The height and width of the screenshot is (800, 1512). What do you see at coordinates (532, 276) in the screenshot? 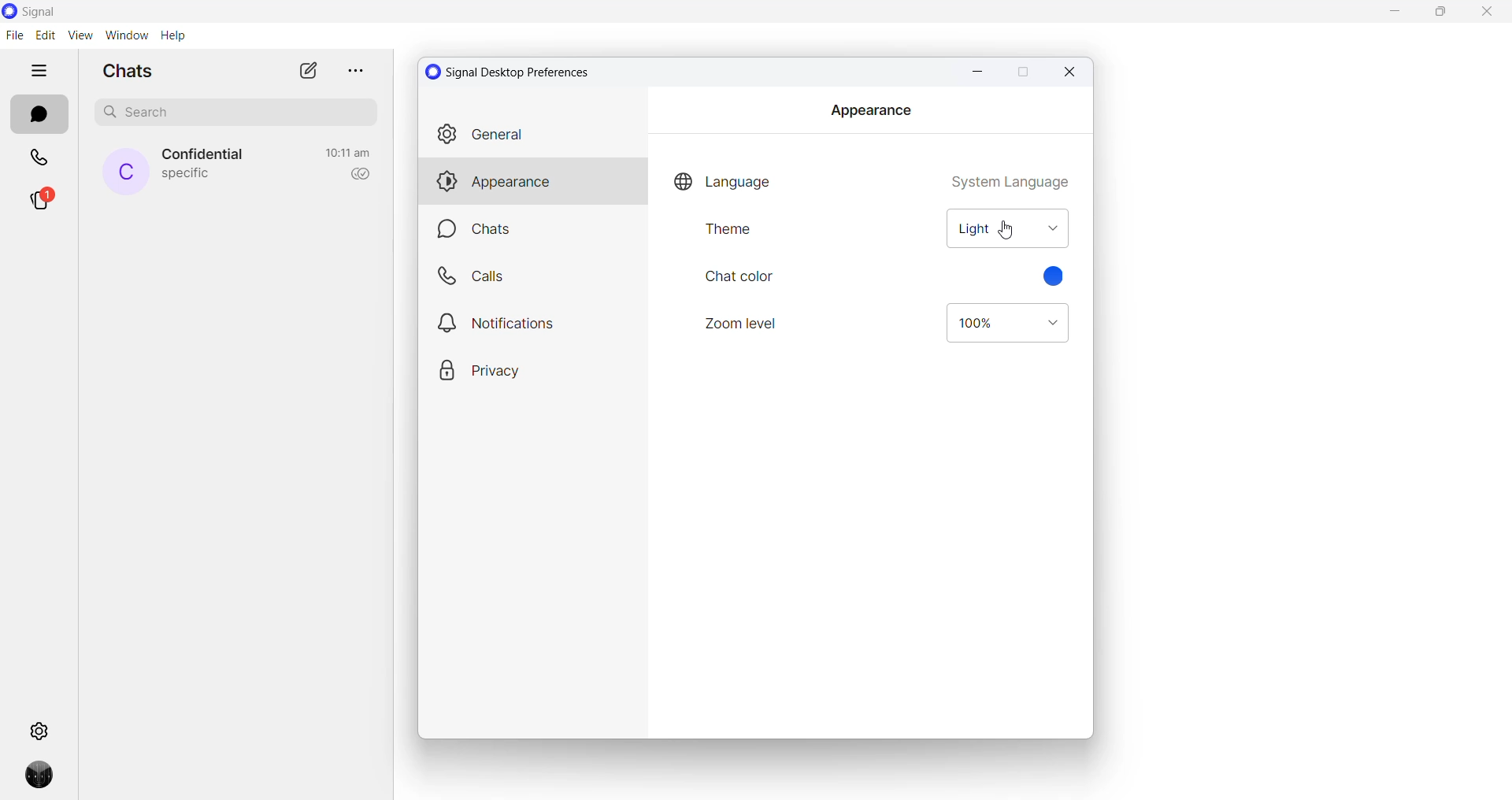
I see `` at bounding box center [532, 276].